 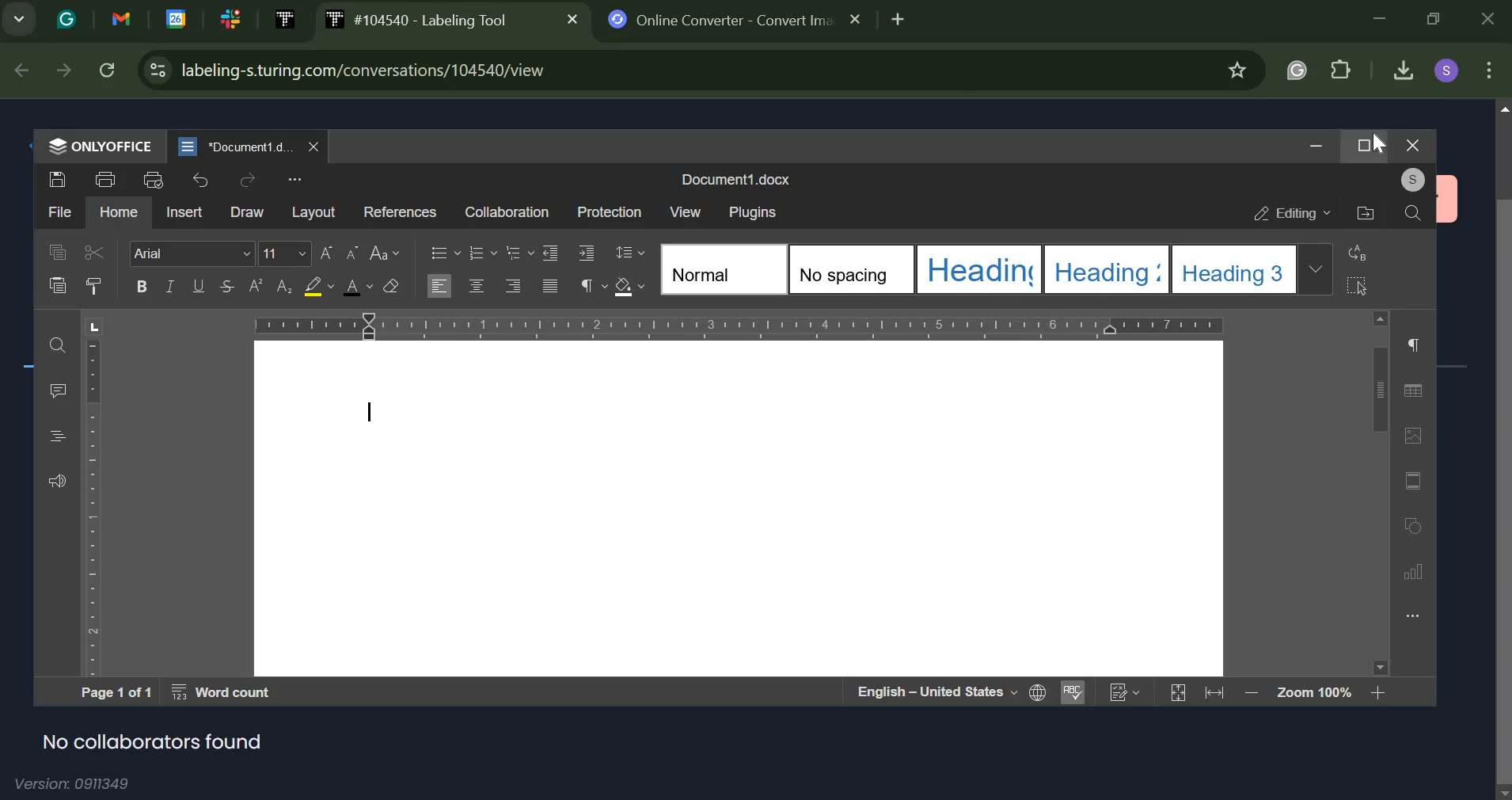 I want to click on web preferences , so click(x=155, y=70).